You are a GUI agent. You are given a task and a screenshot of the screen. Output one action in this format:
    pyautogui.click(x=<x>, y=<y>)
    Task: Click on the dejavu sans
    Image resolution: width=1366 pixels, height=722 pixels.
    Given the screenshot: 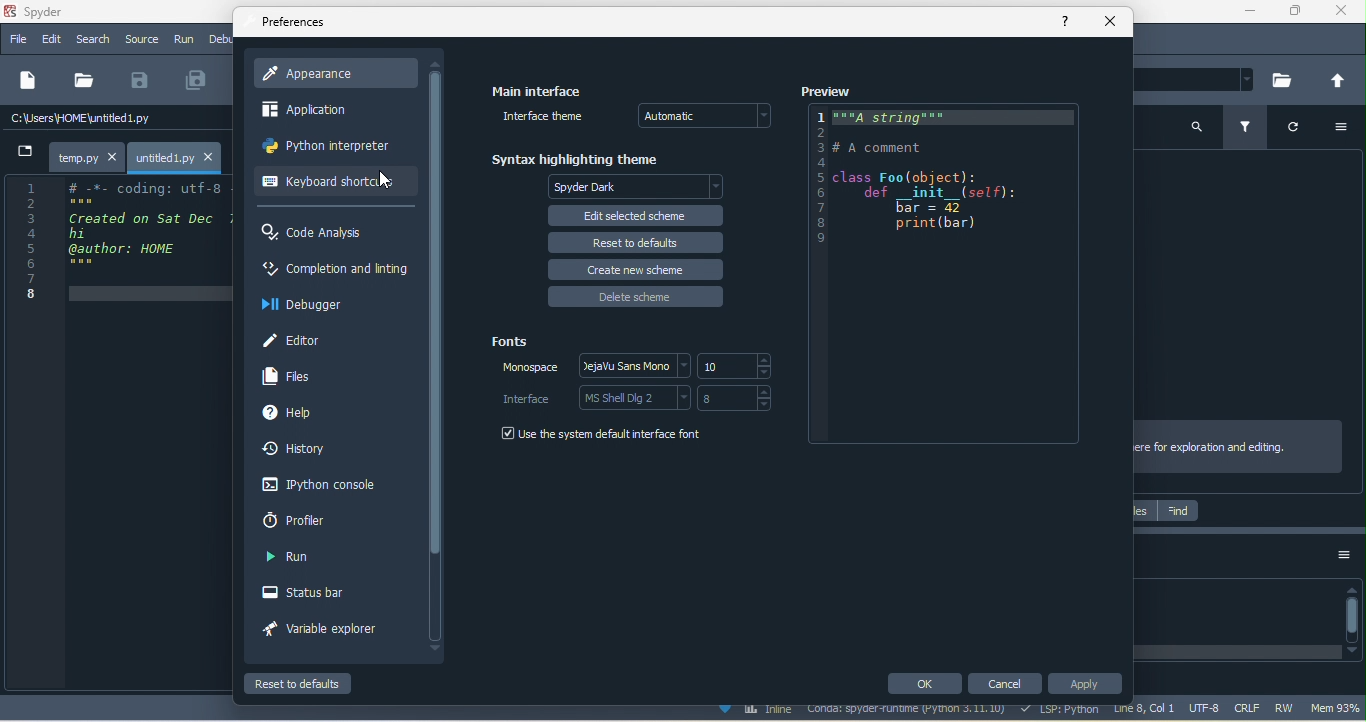 What is the action you would take?
    pyautogui.click(x=631, y=365)
    